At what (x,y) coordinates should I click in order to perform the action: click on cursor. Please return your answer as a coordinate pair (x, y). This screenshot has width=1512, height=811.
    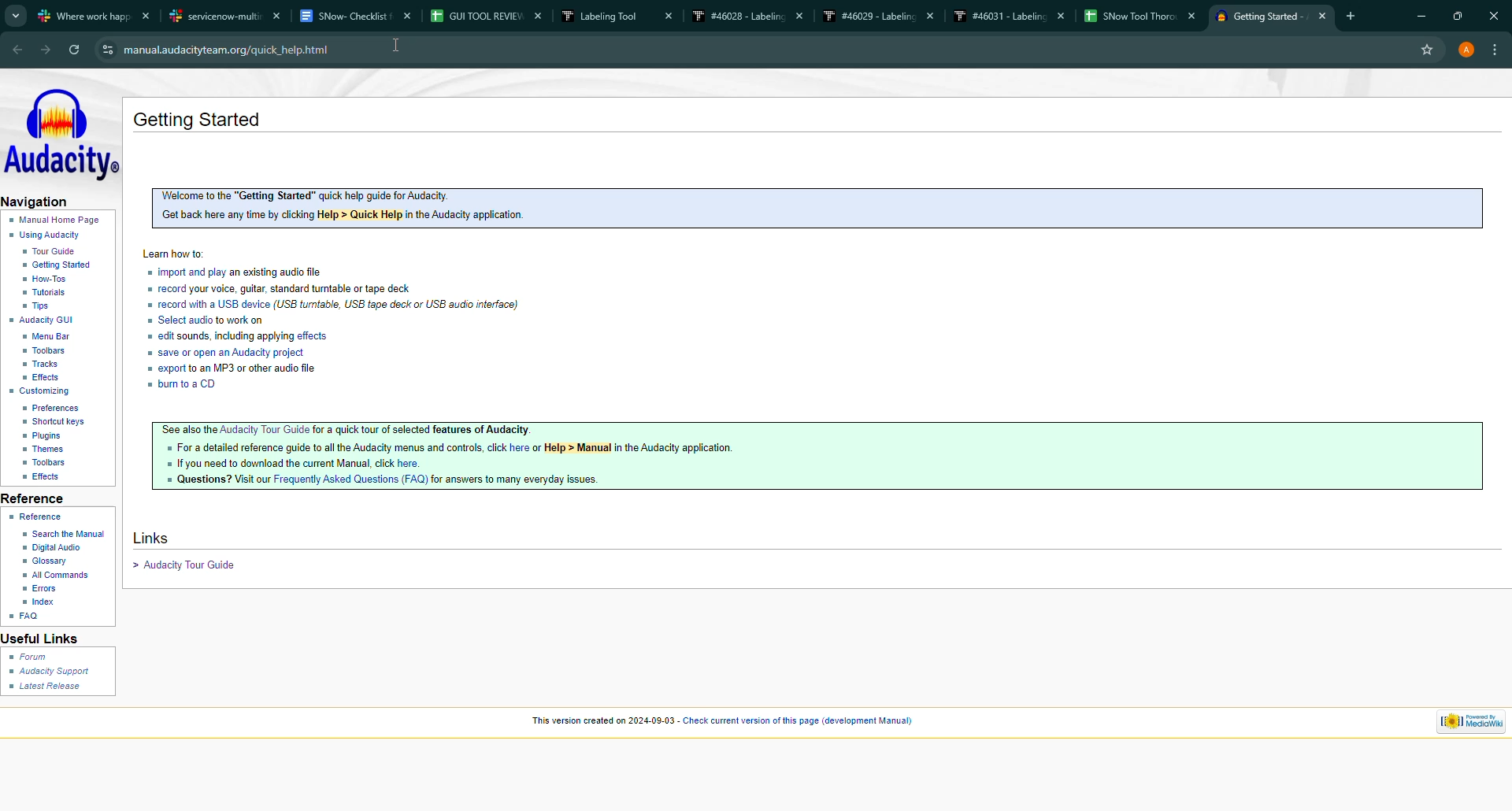
    Looking at the image, I should click on (397, 46).